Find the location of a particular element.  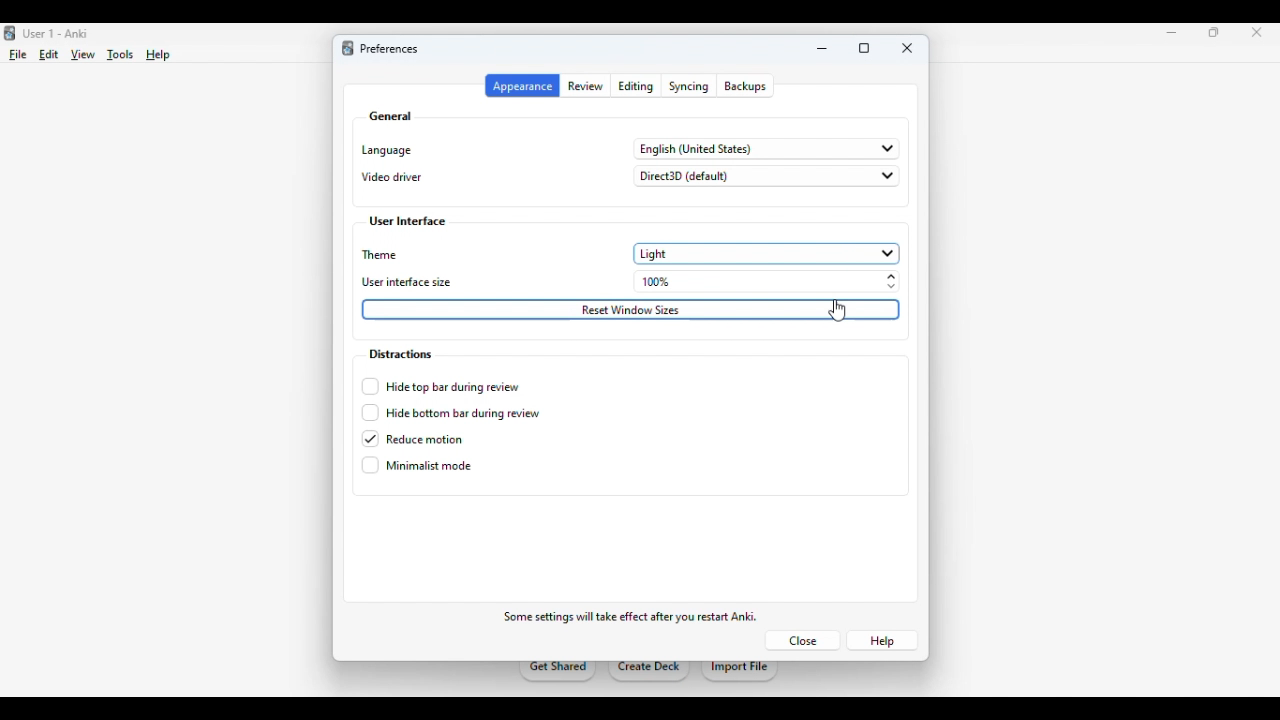

view is located at coordinates (82, 56).